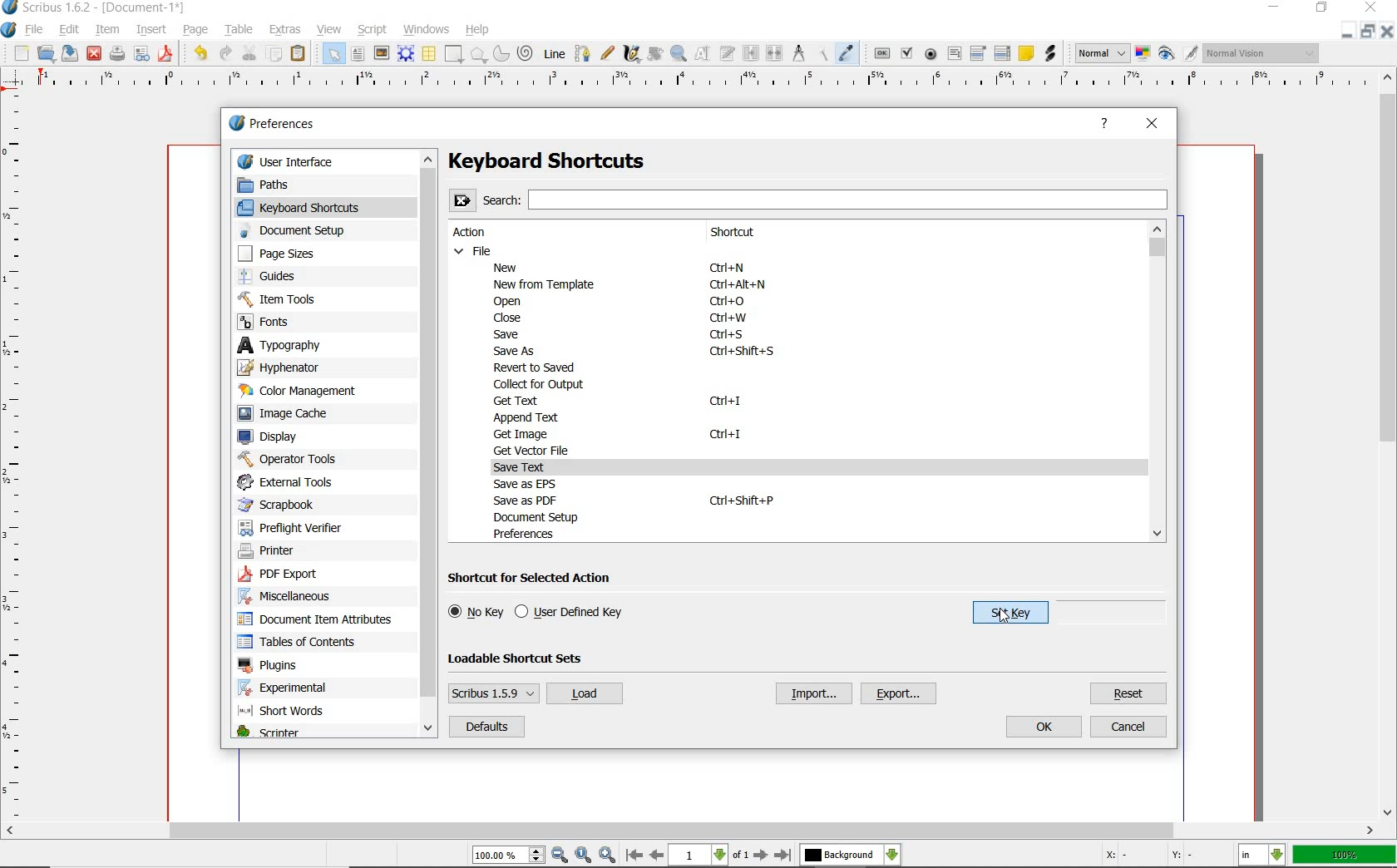 This screenshot has width=1397, height=868. What do you see at coordinates (547, 284) in the screenshot?
I see `new from template` at bounding box center [547, 284].